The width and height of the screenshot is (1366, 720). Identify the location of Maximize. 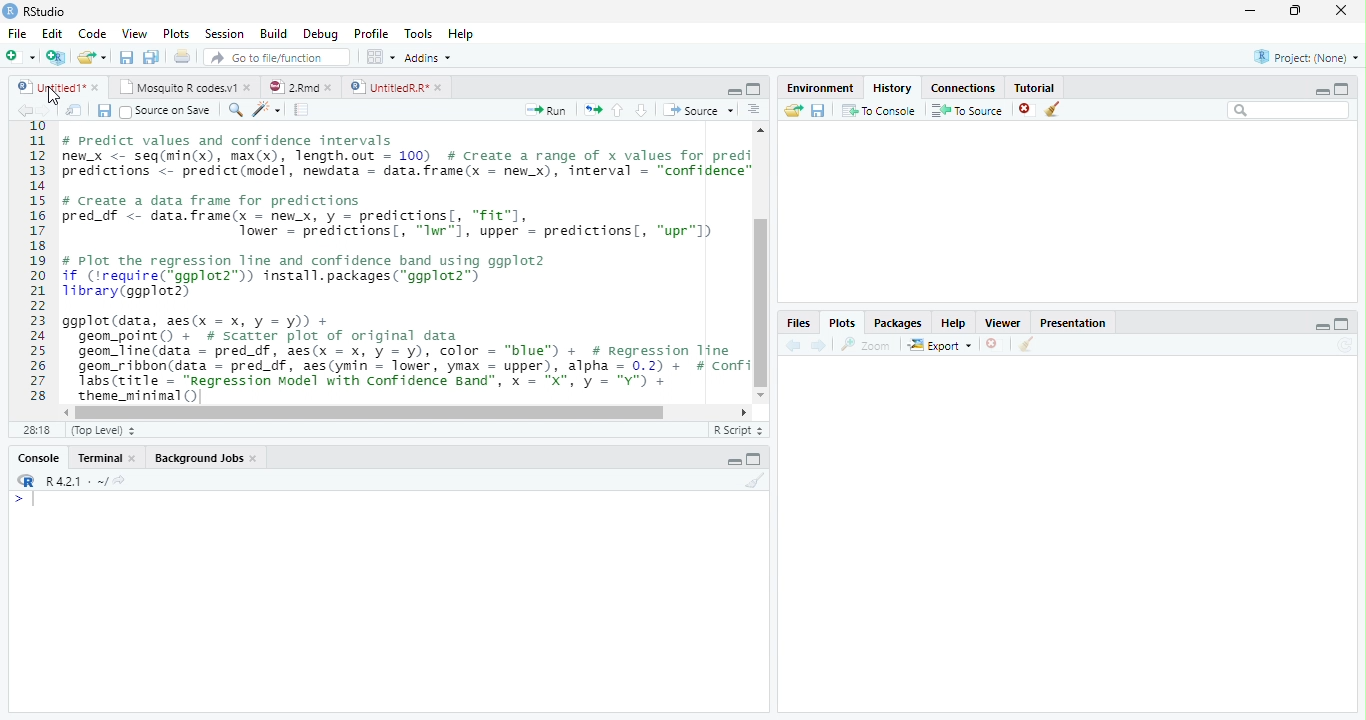
(1344, 88).